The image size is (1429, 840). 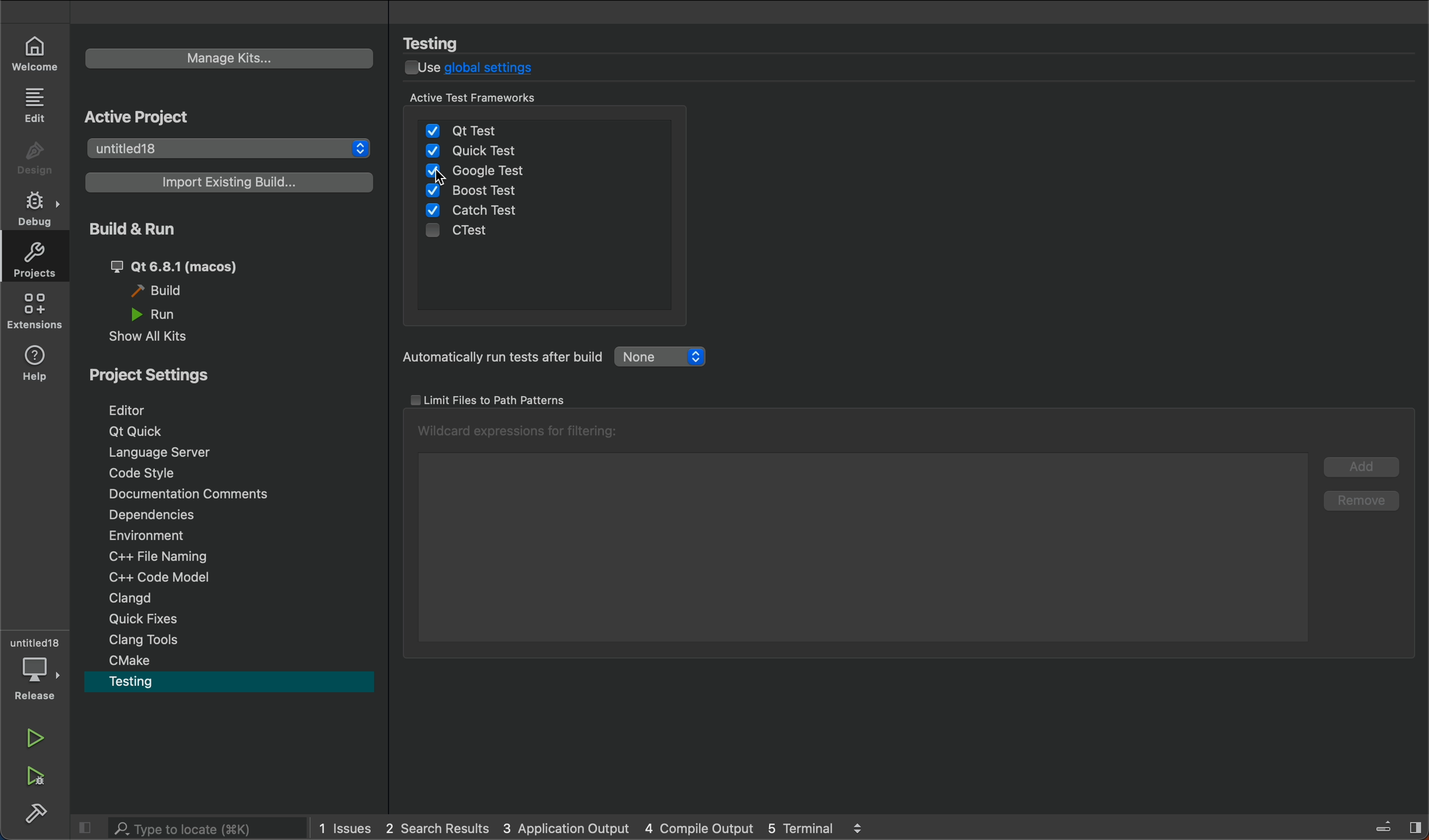 What do you see at coordinates (229, 477) in the screenshot?
I see `coding style` at bounding box center [229, 477].